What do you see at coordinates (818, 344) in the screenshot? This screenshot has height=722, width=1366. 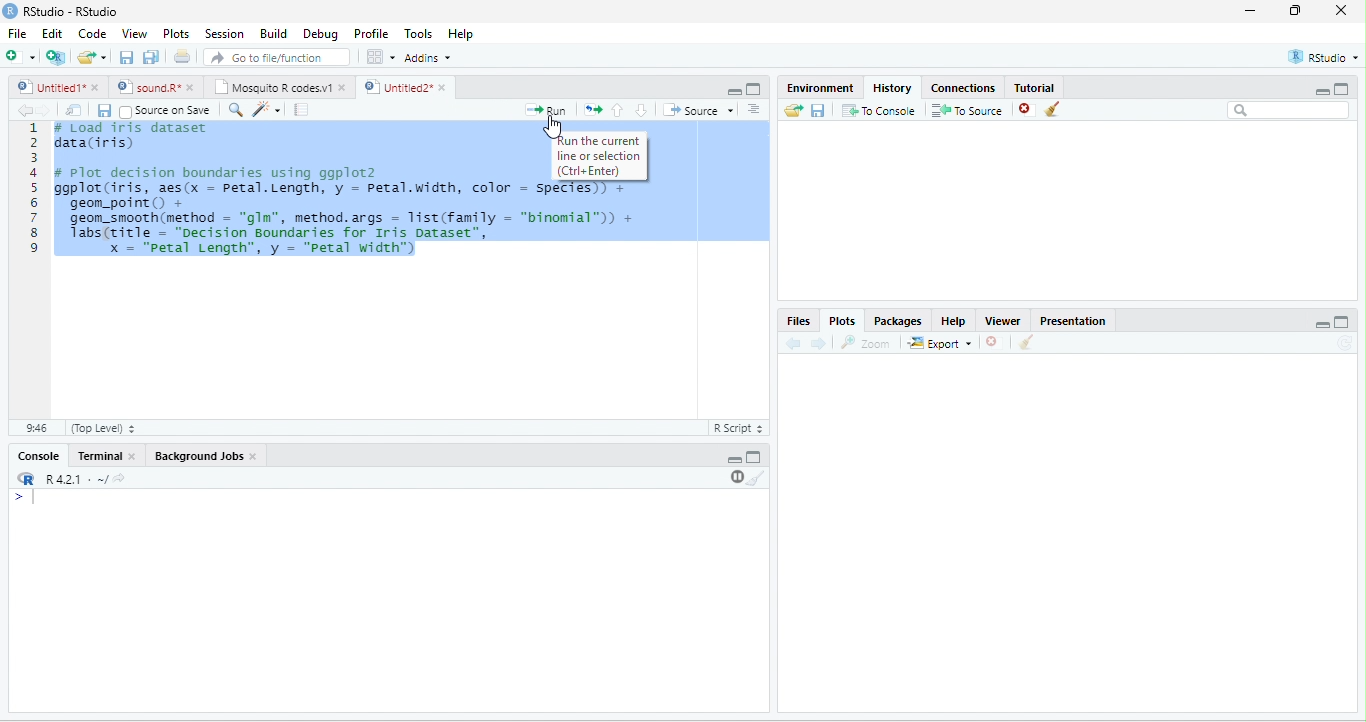 I see `forward` at bounding box center [818, 344].